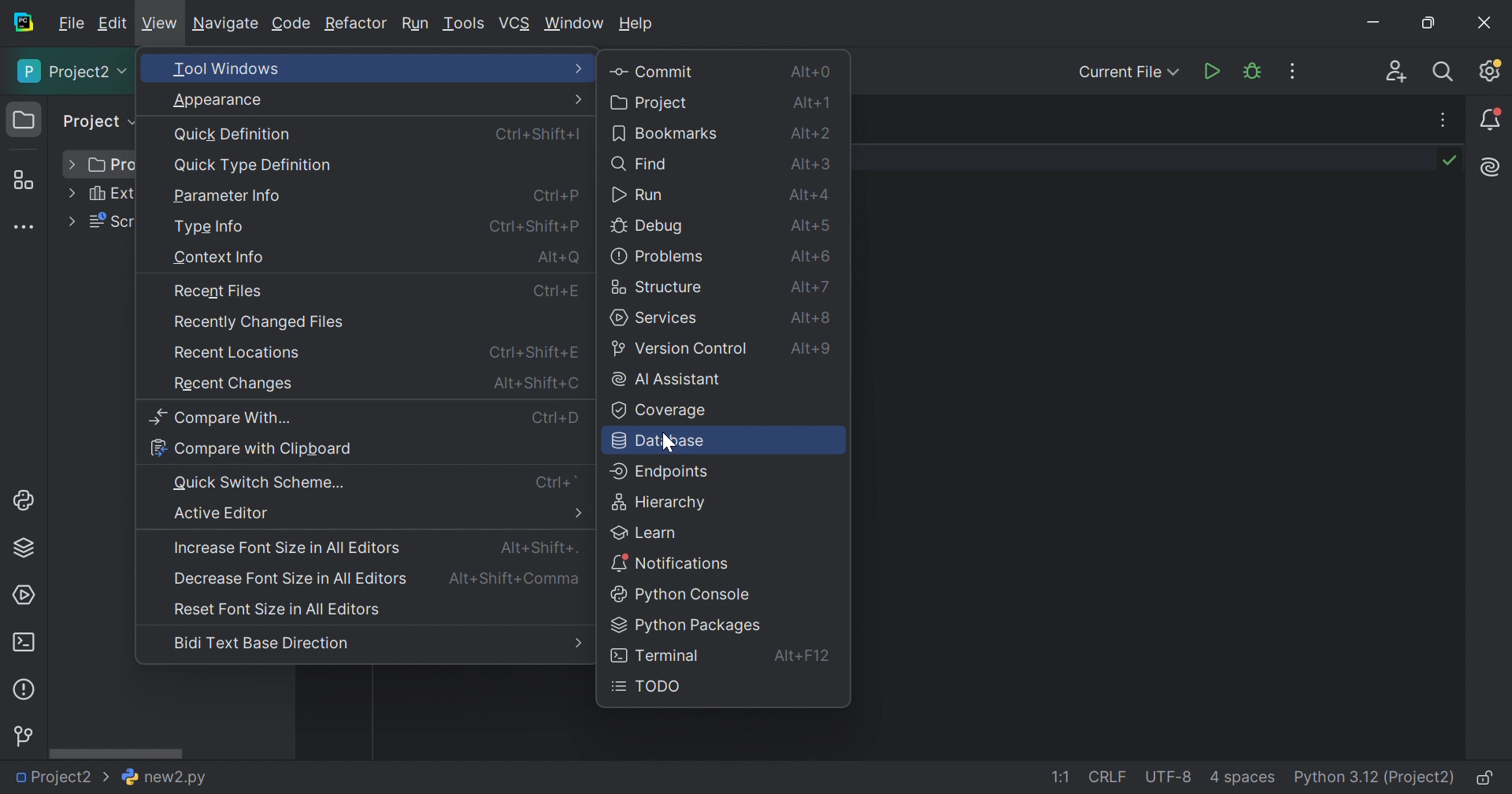  I want to click on Compare with clipboard, so click(251, 447).